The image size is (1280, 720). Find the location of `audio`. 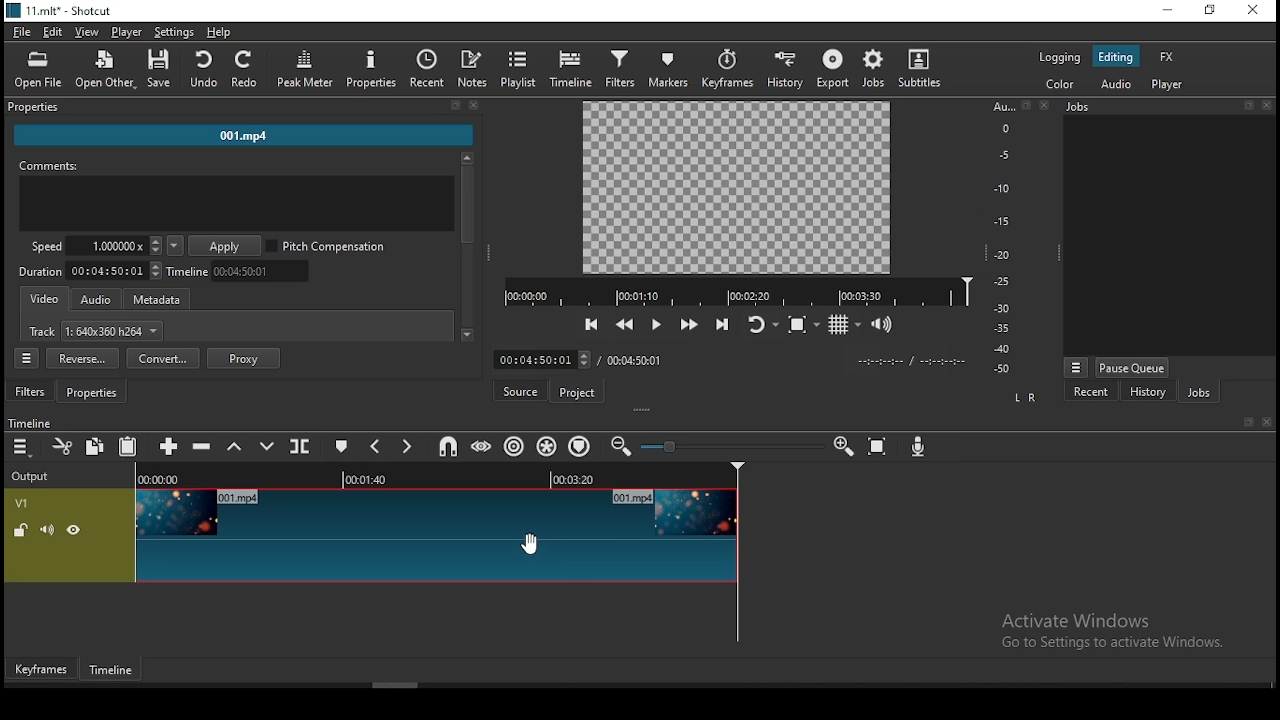

audio is located at coordinates (1114, 84).